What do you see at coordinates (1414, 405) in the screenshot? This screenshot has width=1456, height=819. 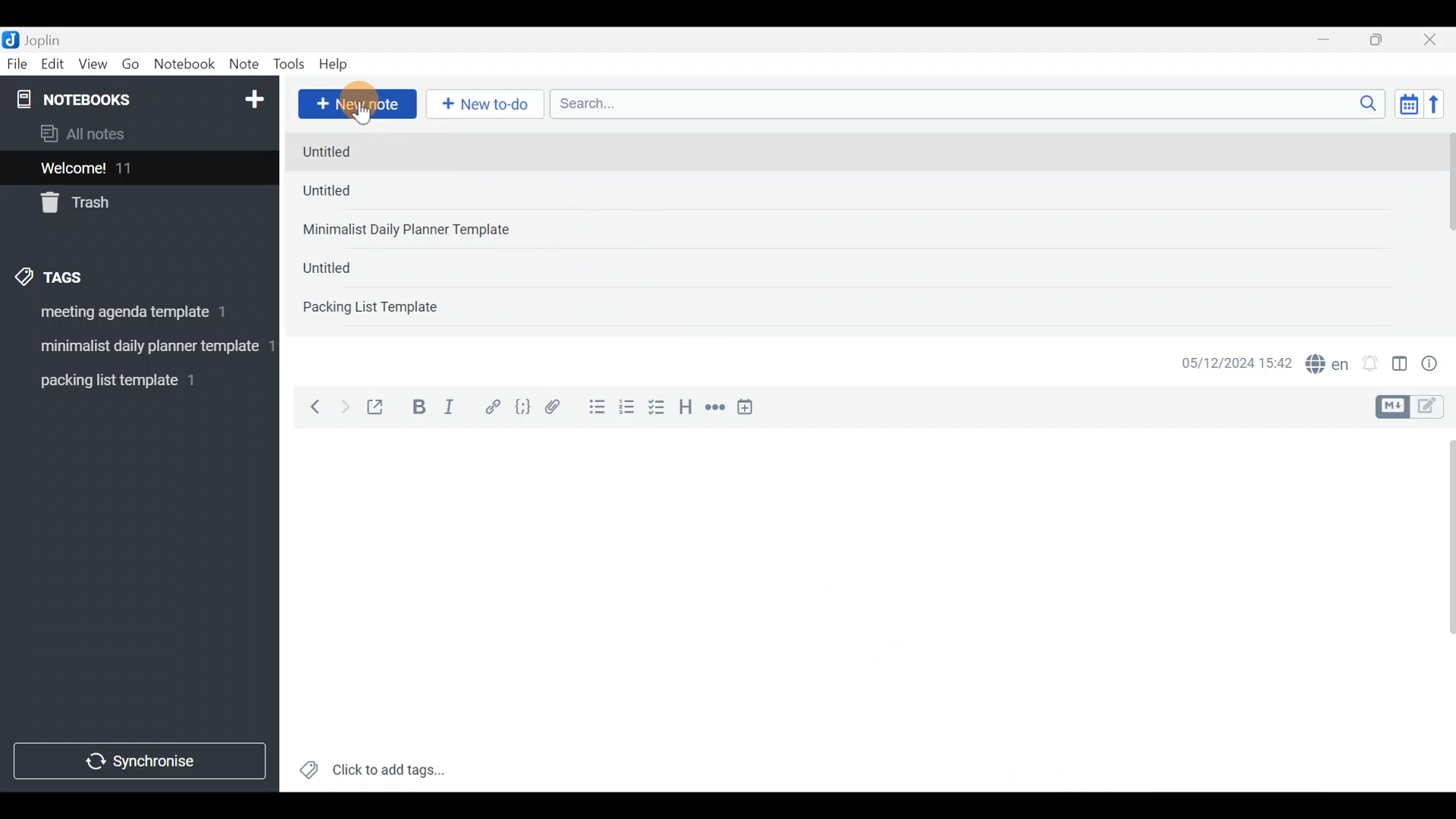 I see `Toggle editors` at bounding box center [1414, 405].